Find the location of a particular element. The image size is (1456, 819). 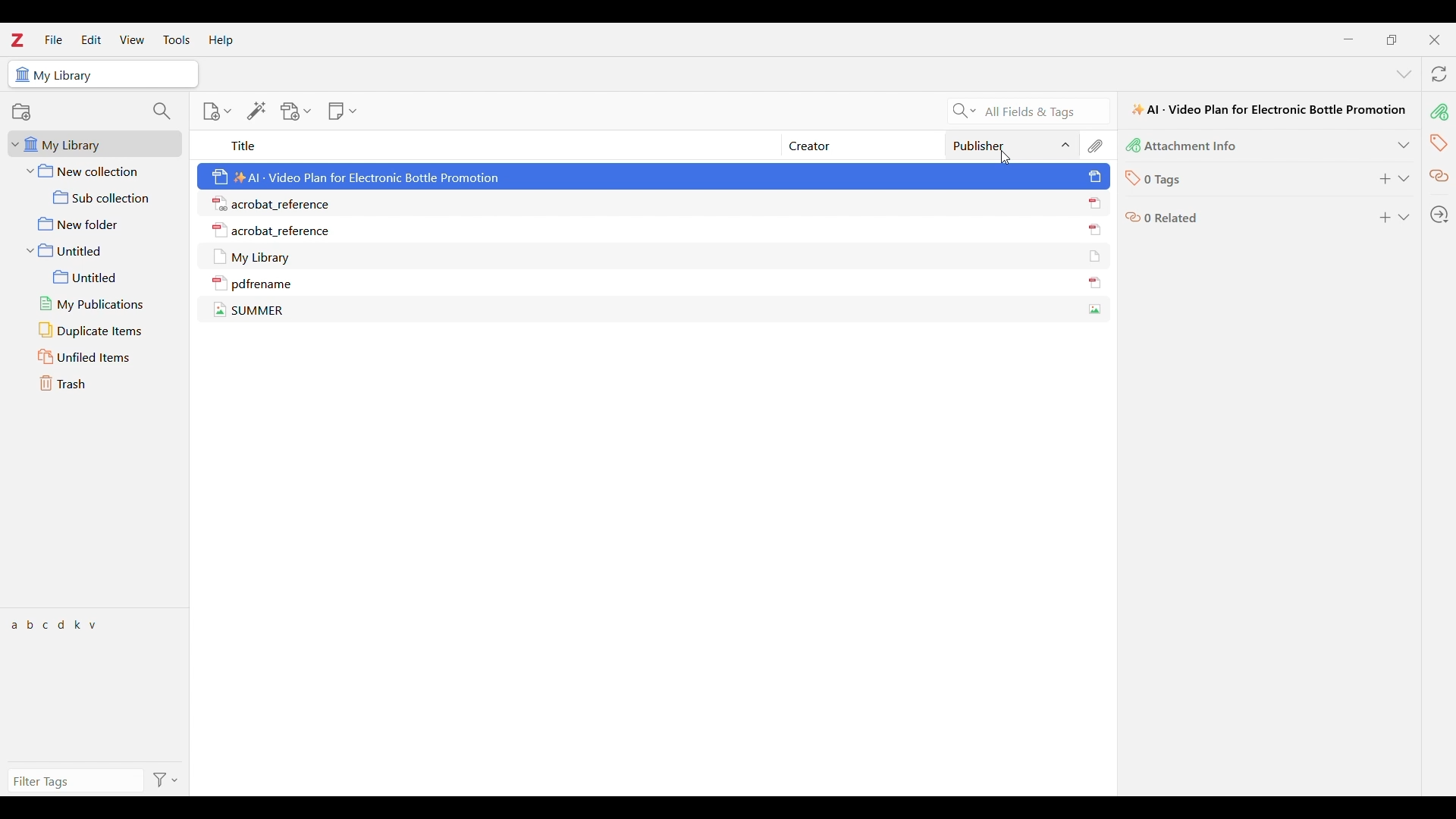

Show interface in a smaller tab is located at coordinates (1392, 39).